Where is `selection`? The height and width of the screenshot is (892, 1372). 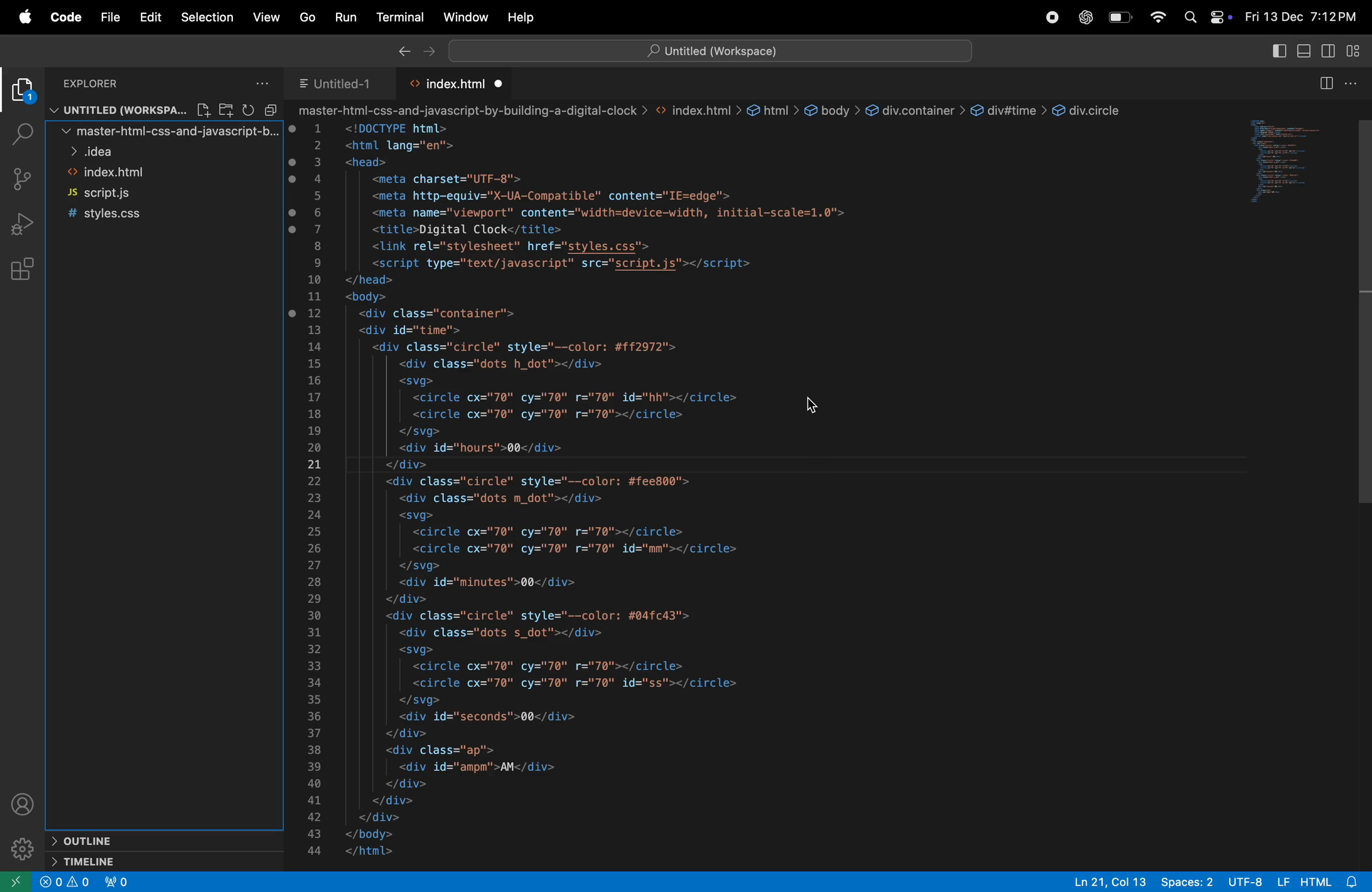 selection is located at coordinates (207, 16).